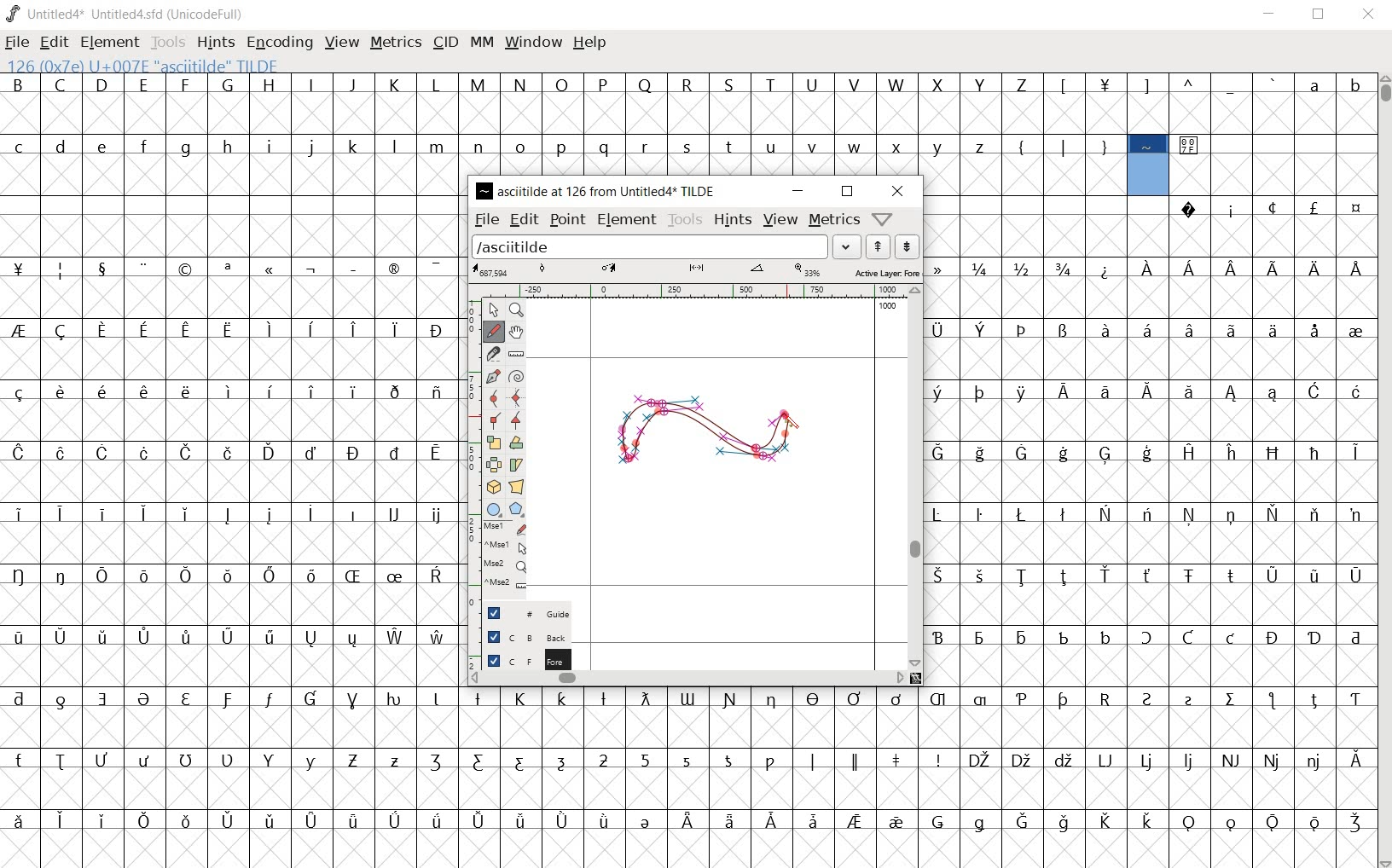 Image resolution: width=1392 pixels, height=868 pixels. What do you see at coordinates (214, 42) in the screenshot?
I see `HINTS` at bounding box center [214, 42].